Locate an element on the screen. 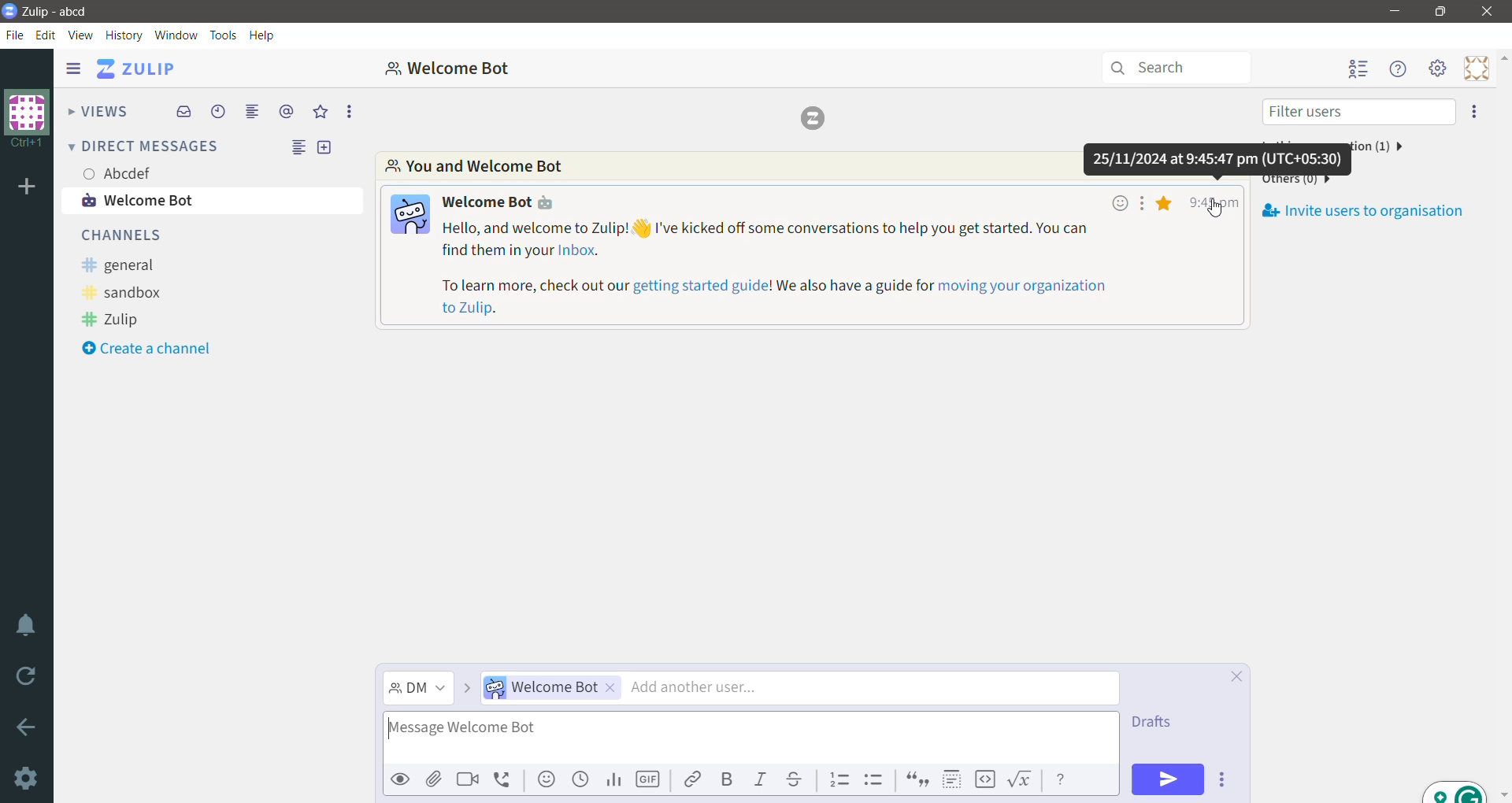 The width and height of the screenshot is (1512, 803). Help Menu is located at coordinates (1397, 71).